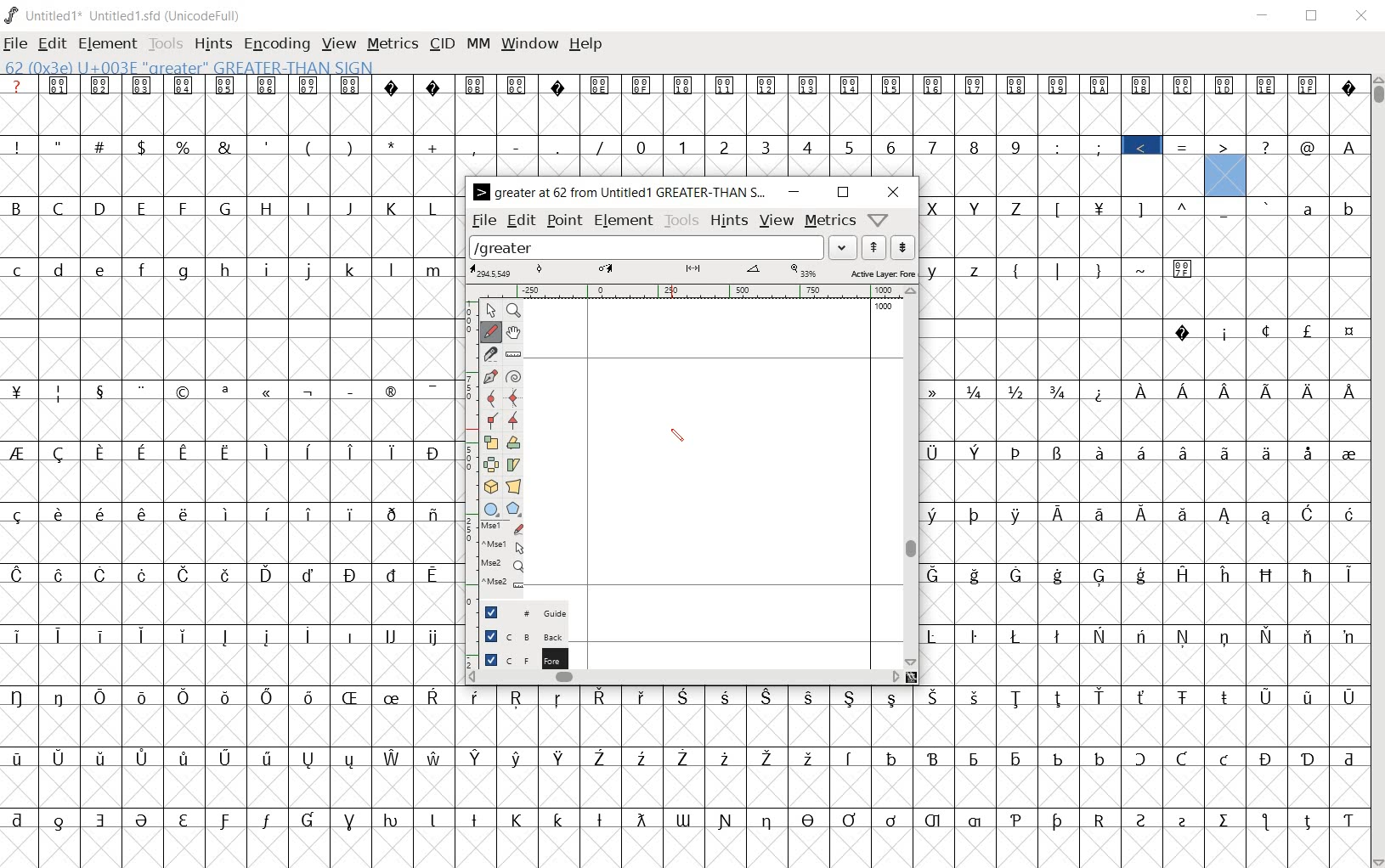 This screenshot has height=868, width=1385. What do you see at coordinates (517, 397) in the screenshot?
I see `add a curve point always either horizontal or vertical` at bounding box center [517, 397].